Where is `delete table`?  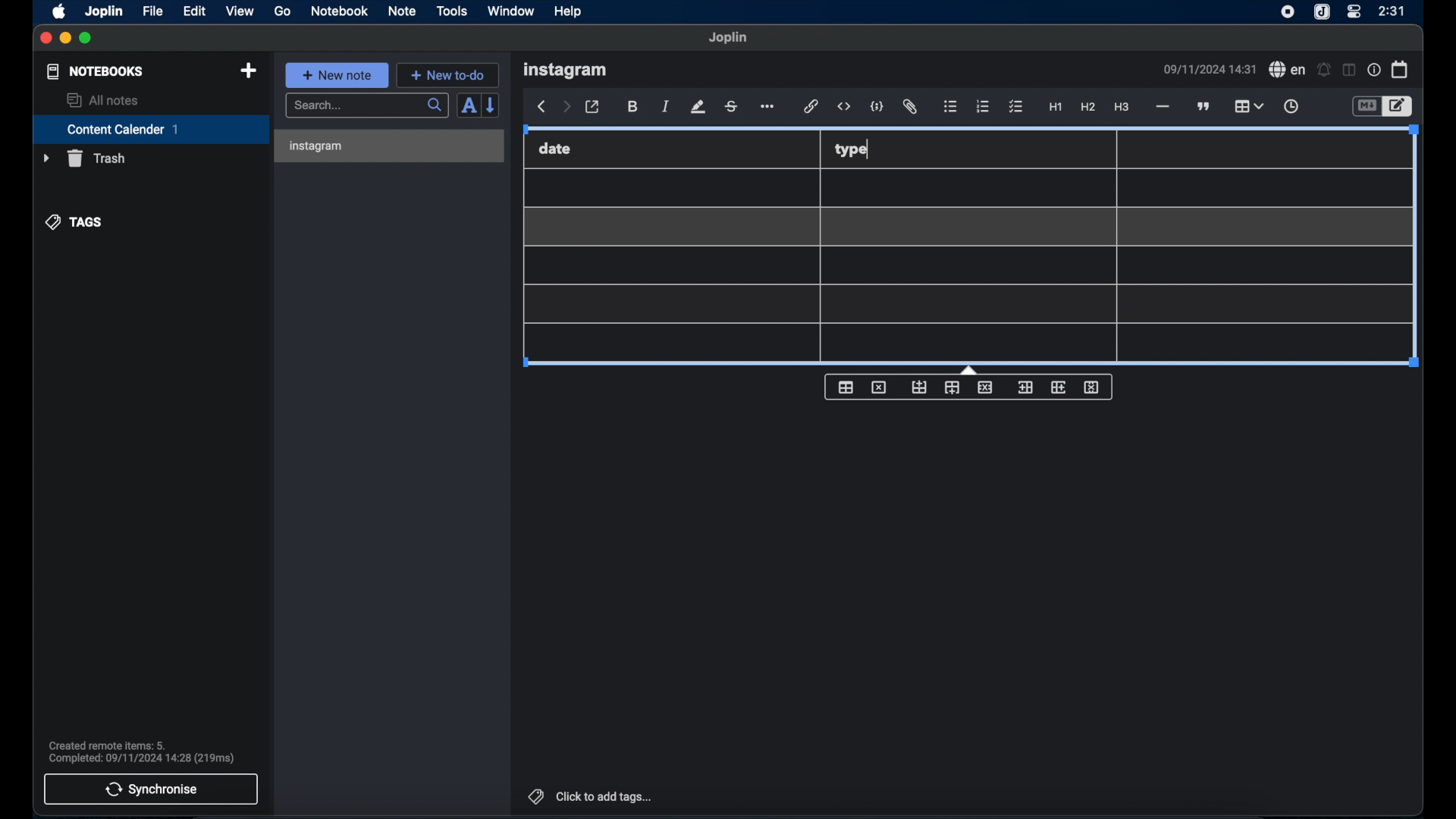 delete table is located at coordinates (879, 387).